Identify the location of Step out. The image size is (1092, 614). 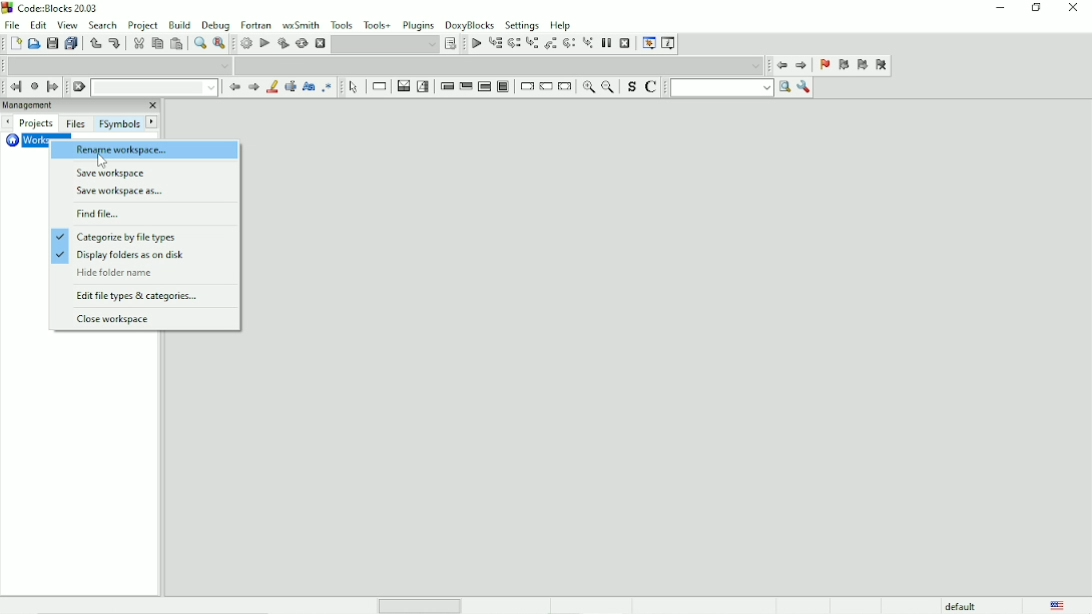
(550, 45).